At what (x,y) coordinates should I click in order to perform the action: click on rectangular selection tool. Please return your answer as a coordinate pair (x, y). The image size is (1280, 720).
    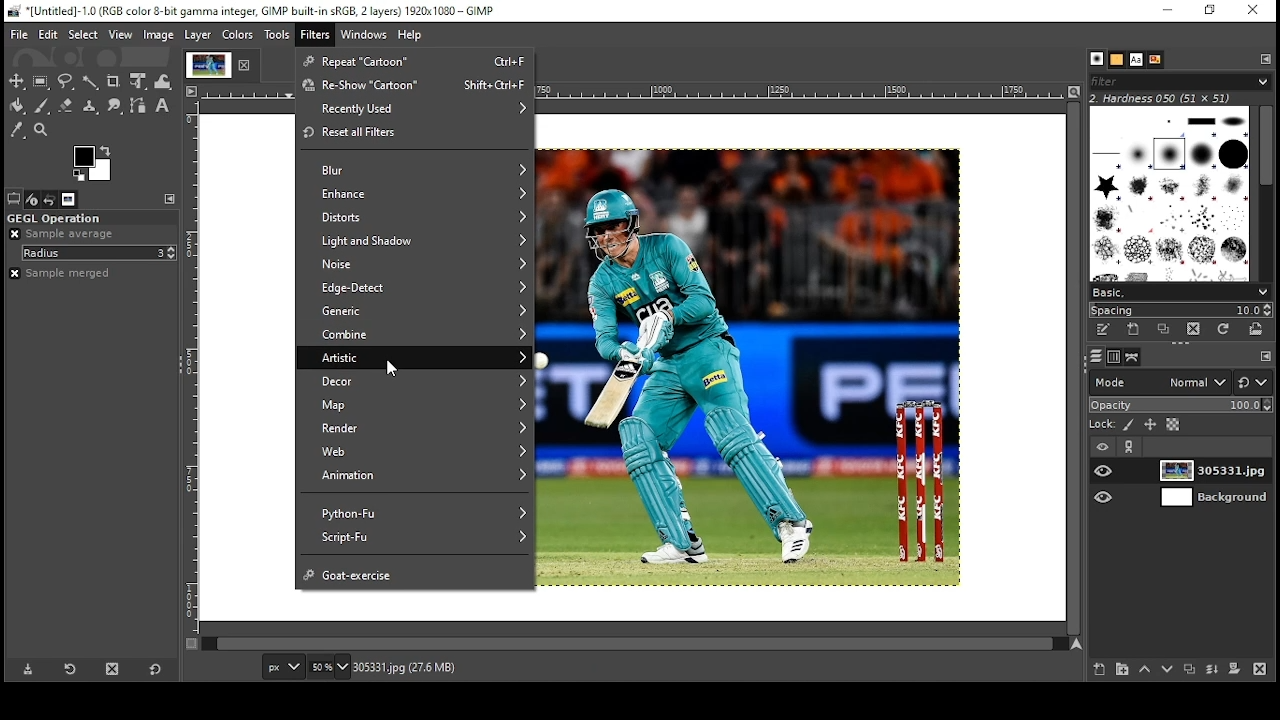
    Looking at the image, I should click on (41, 82).